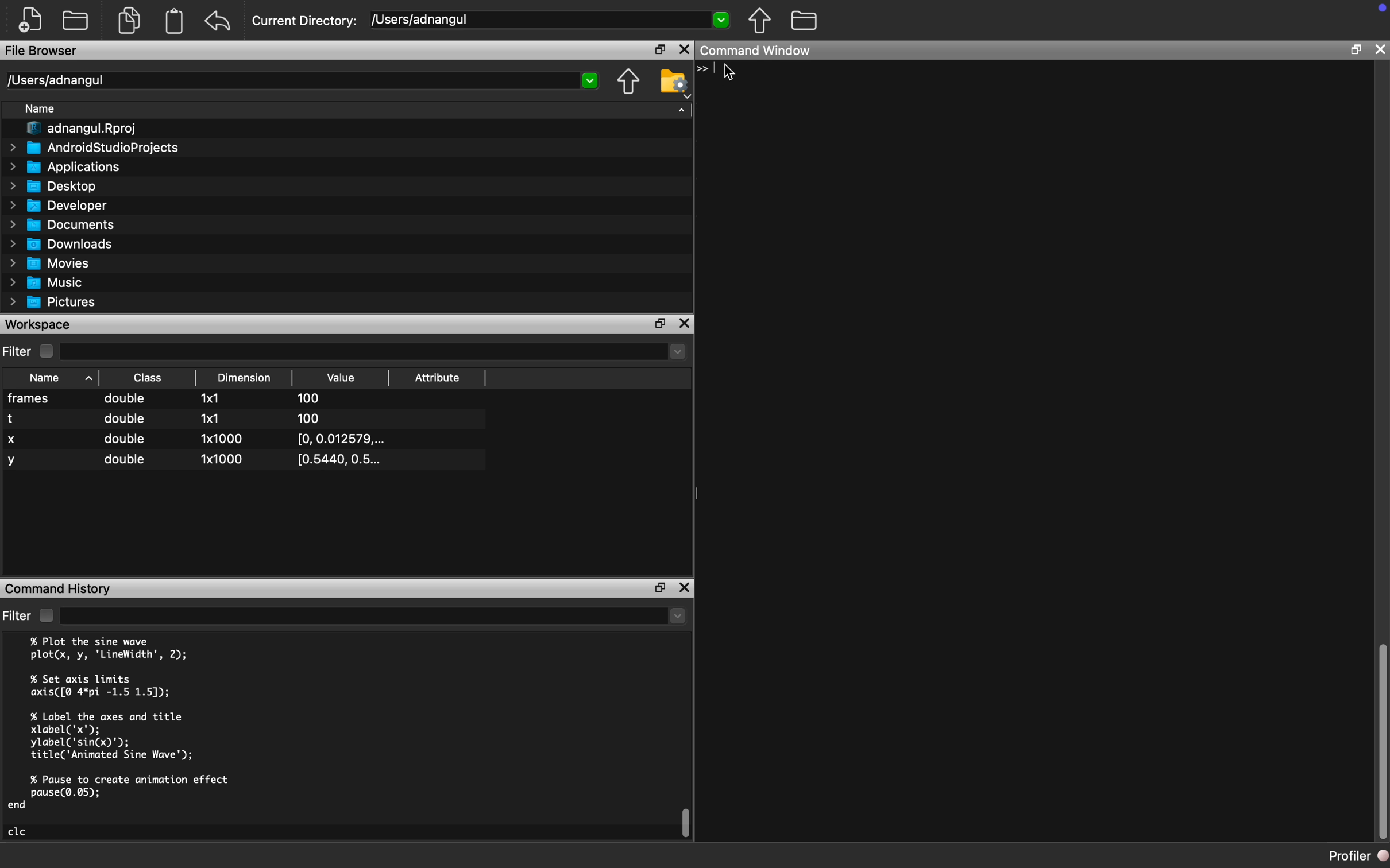 This screenshot has width=1390, height=868. Describe the element at coordinates (126, 400) in the screenshot. I see `double` at that location.